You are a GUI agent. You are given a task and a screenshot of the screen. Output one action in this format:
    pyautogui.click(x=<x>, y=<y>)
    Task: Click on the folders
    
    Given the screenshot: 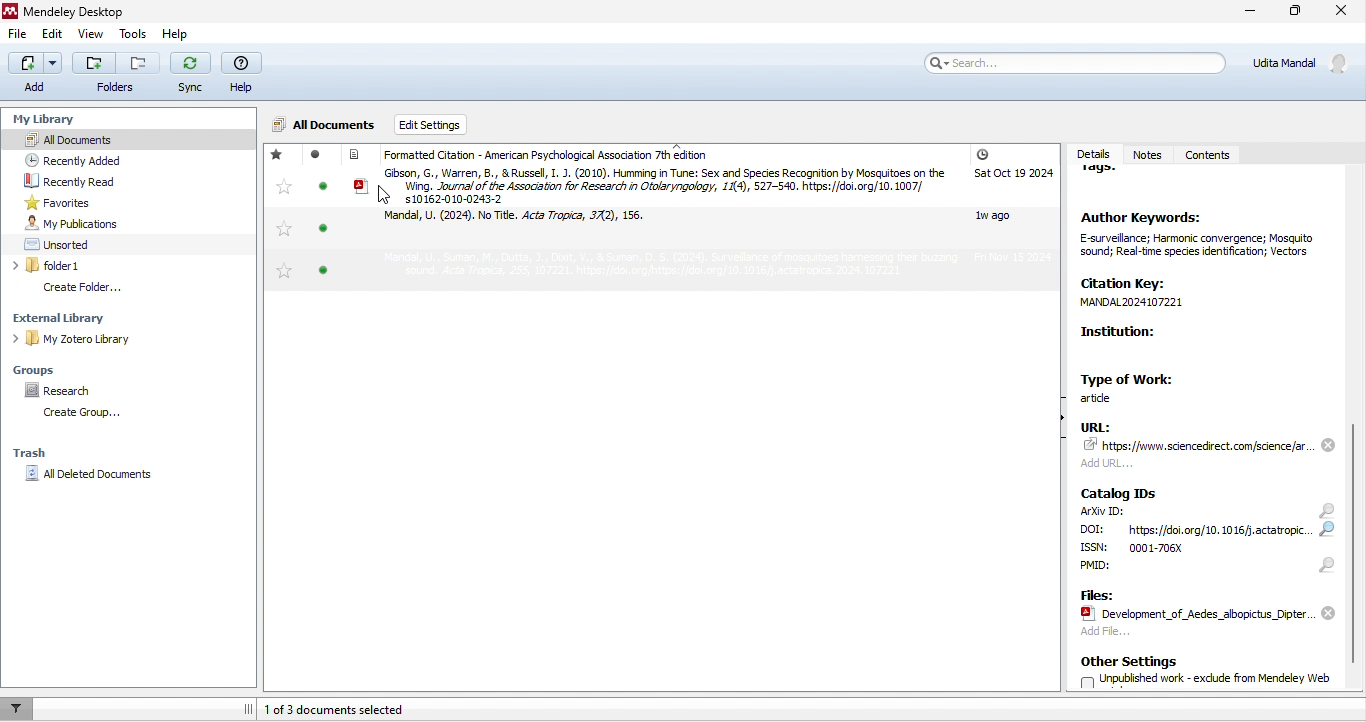 What is the action you would take?
    pyautogui.click(x=117, y=75)
    